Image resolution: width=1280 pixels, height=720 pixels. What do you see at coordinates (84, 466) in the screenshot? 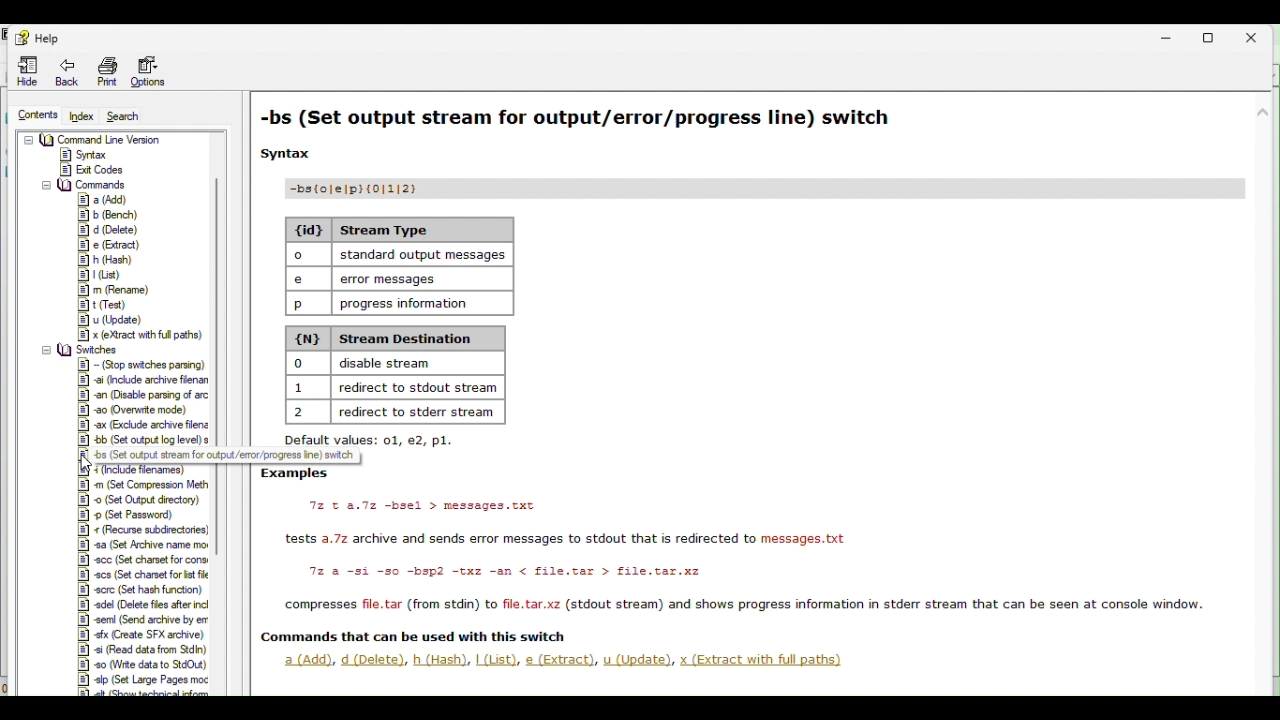
I see `cursor` at bounding box center [84, 466].